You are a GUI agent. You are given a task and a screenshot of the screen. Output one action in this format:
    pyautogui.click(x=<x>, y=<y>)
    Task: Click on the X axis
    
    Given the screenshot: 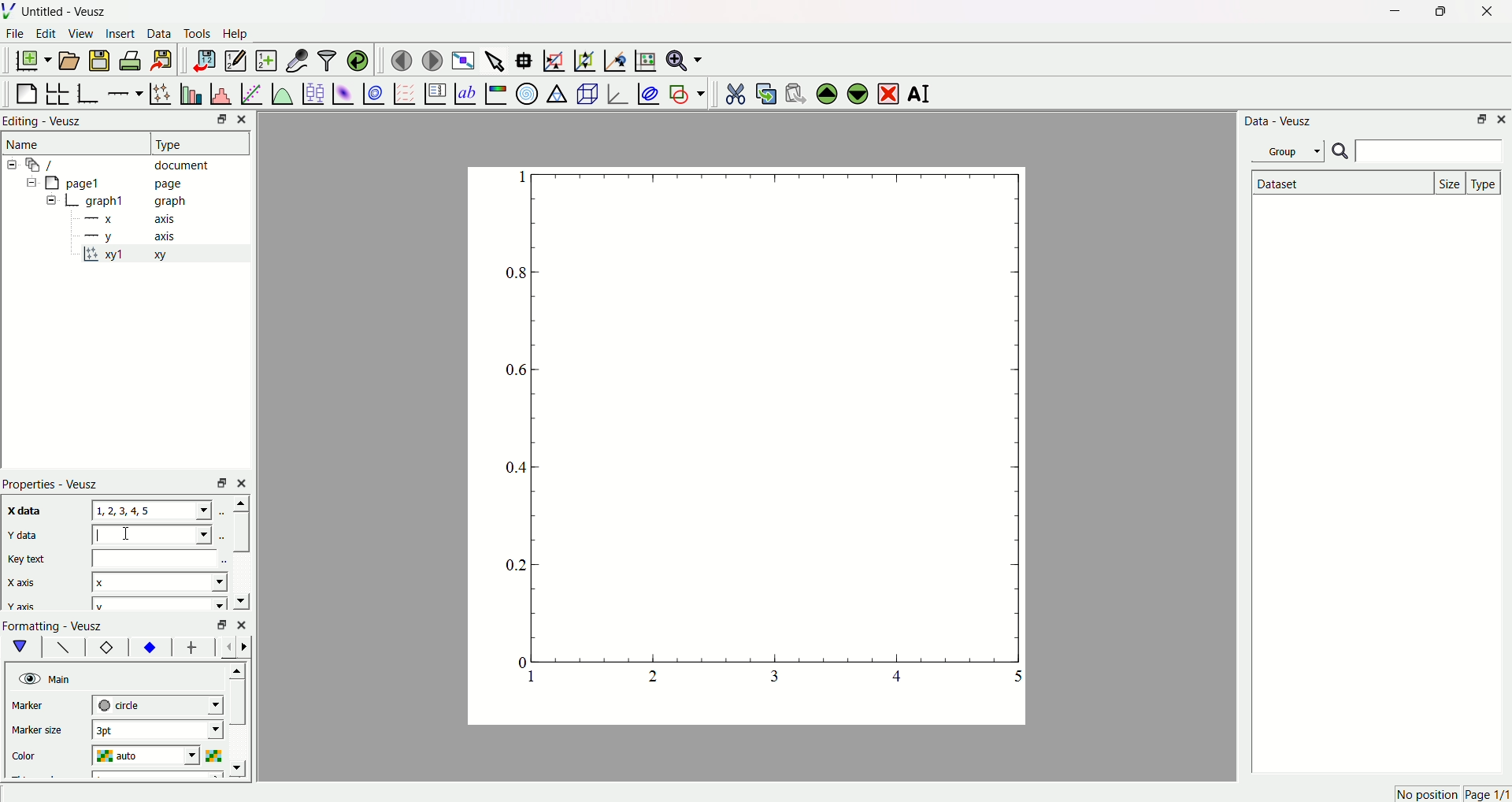 What is the action you would take?
    pyautogui.click(x=28, y=583)
    